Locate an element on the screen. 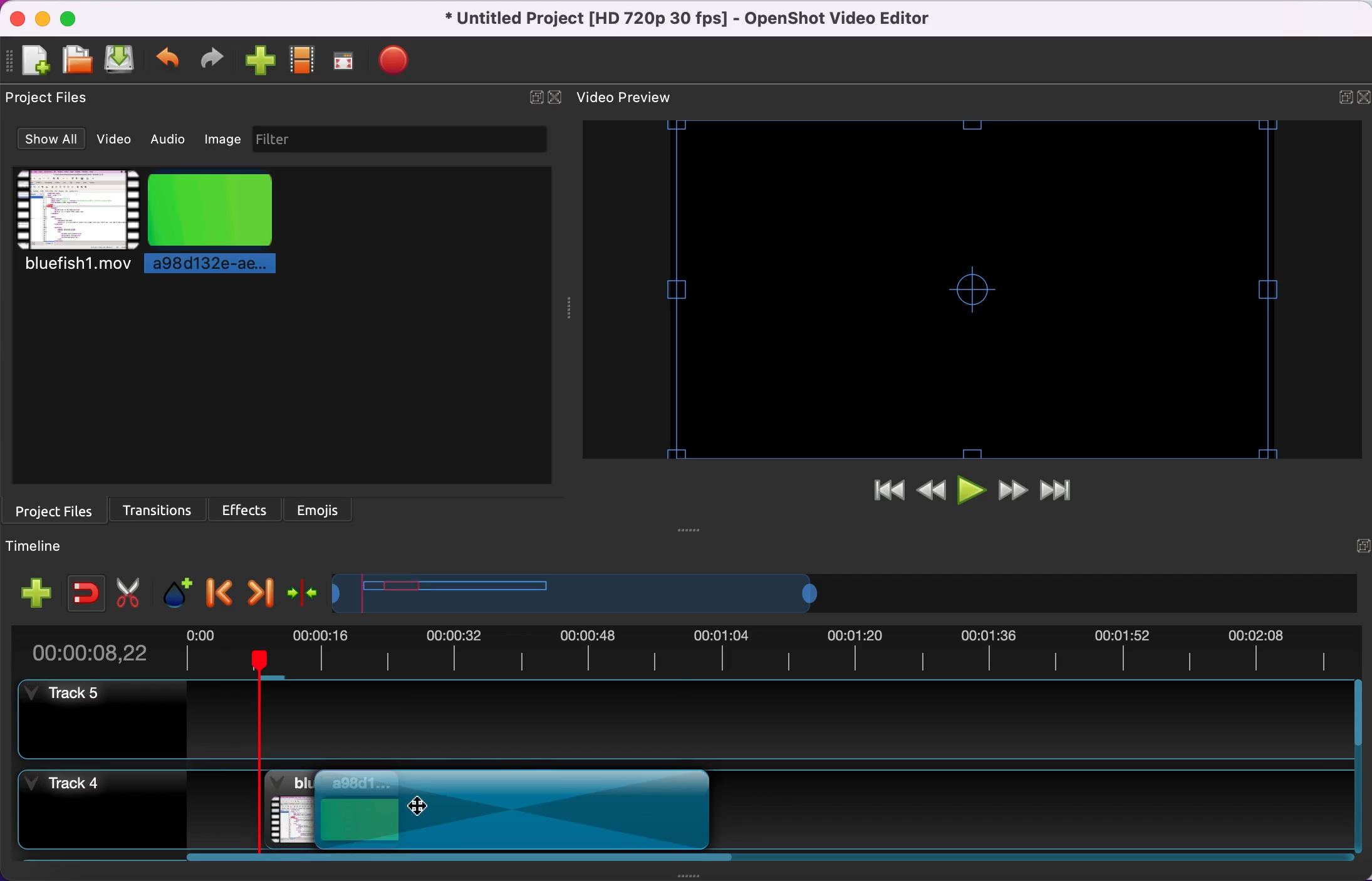  video is located at coordinates (74, 225).